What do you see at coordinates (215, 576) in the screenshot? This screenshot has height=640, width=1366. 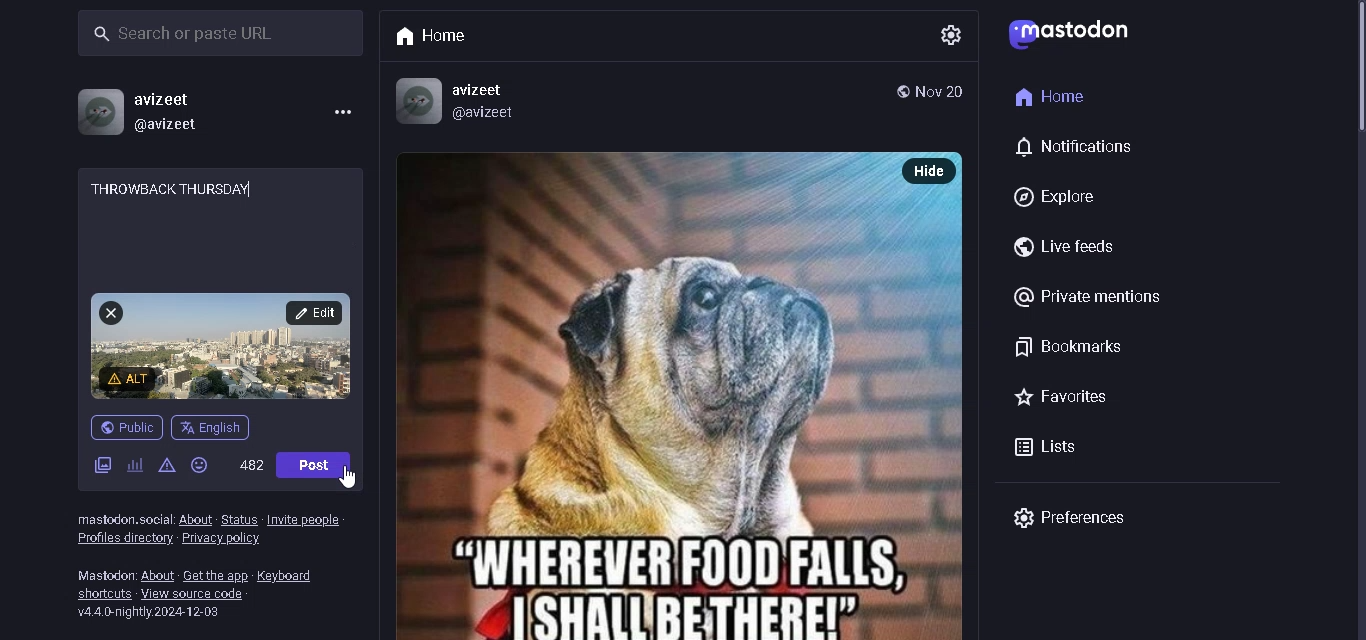 I see `get the app` at bounding box center [215, 576].